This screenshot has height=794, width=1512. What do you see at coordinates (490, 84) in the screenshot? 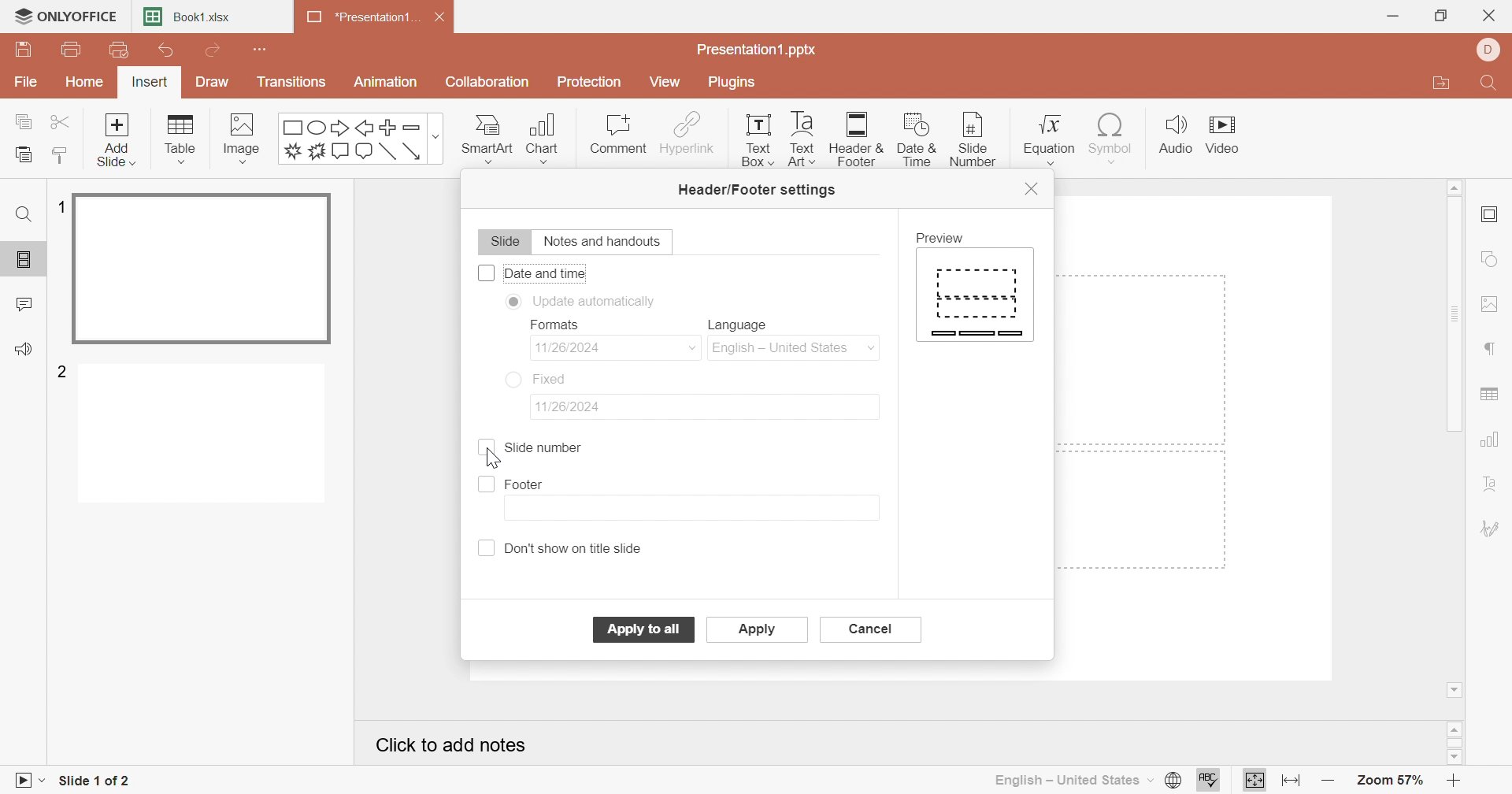
I see `Collaboraion` at bounding box center [490, 84].